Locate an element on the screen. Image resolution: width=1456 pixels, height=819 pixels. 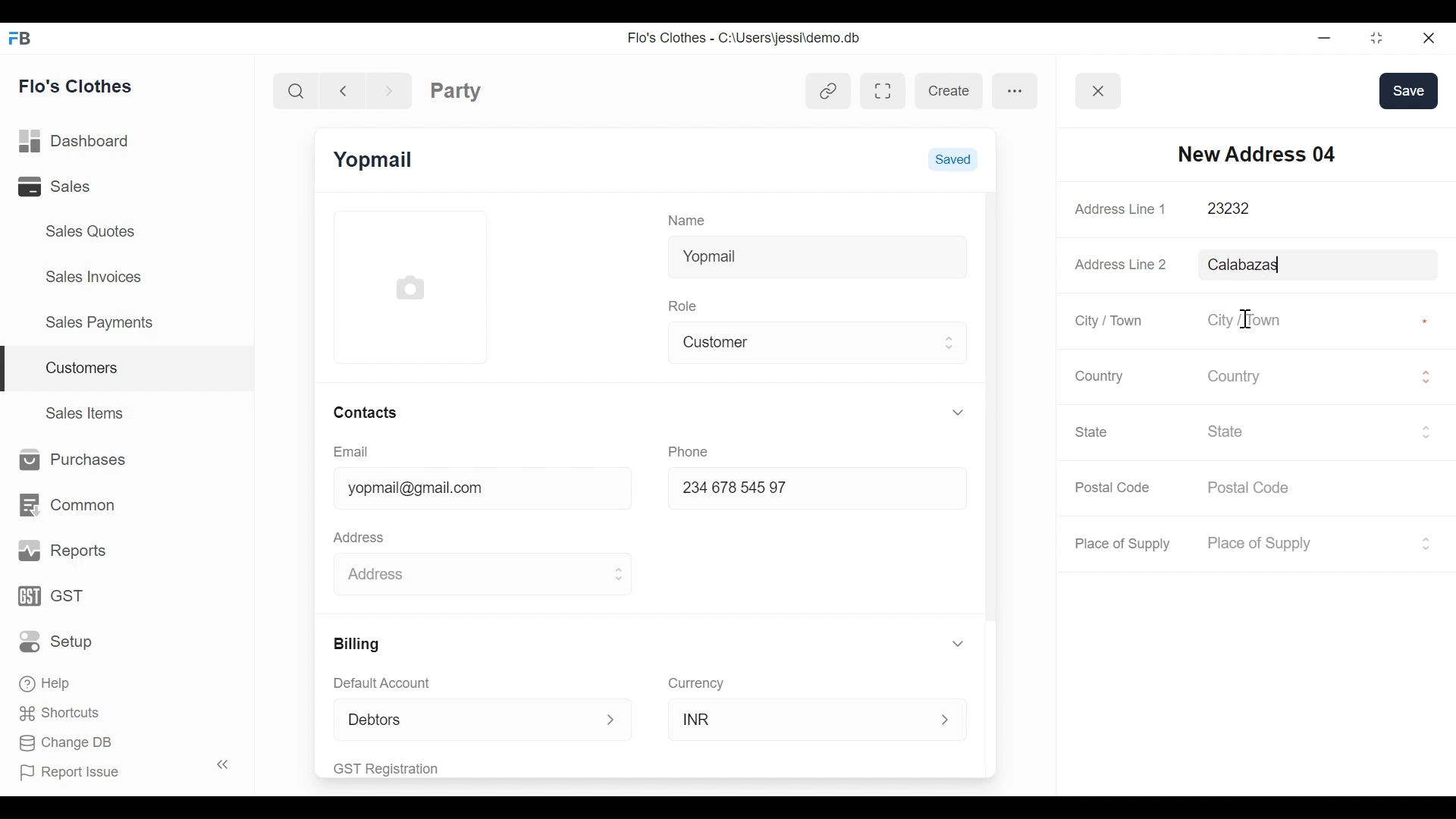
Asterisk  is located at coordinates (1427, 319).